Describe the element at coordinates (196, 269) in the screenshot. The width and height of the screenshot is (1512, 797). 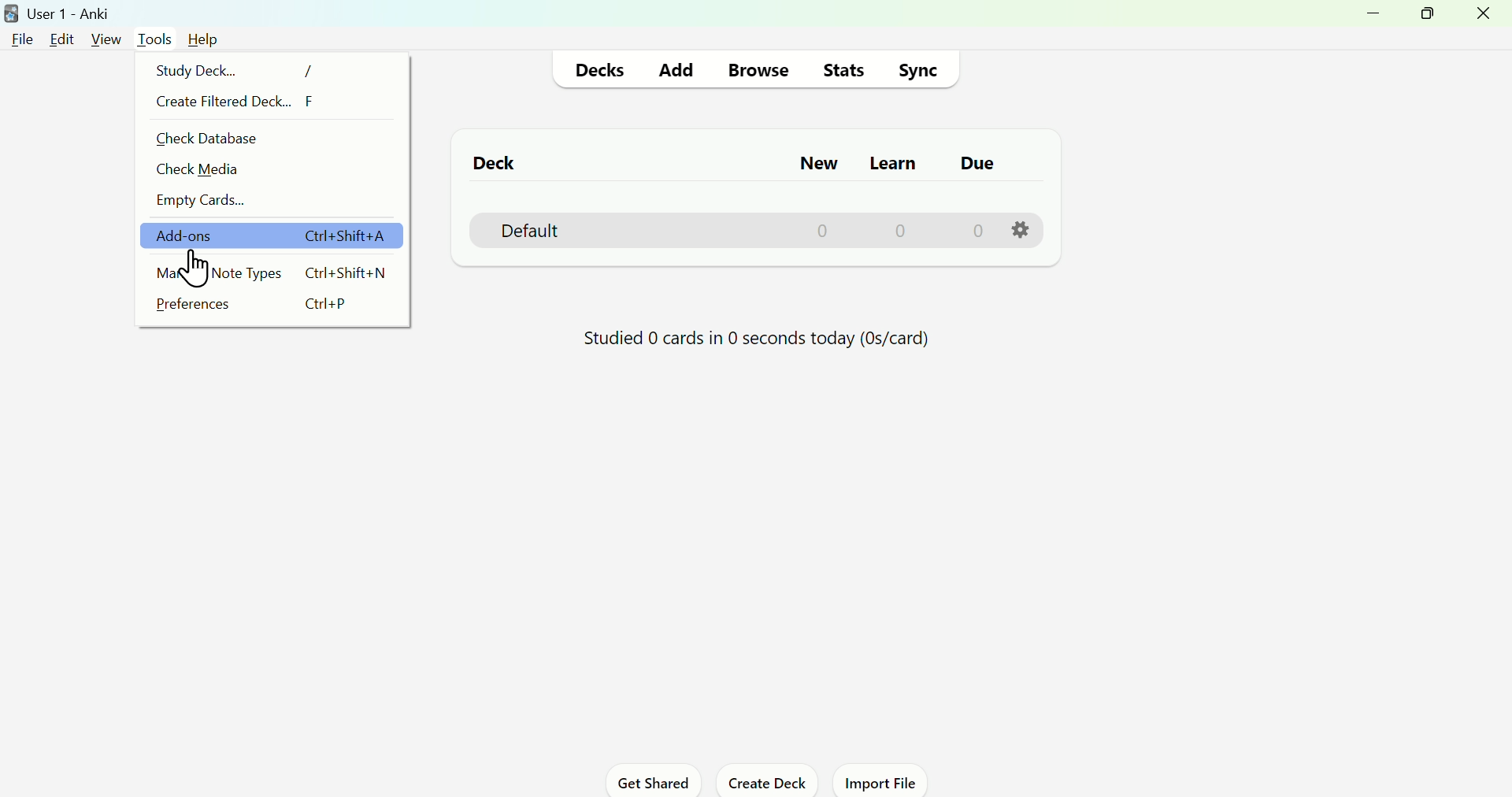
I see `cursor` at that location.